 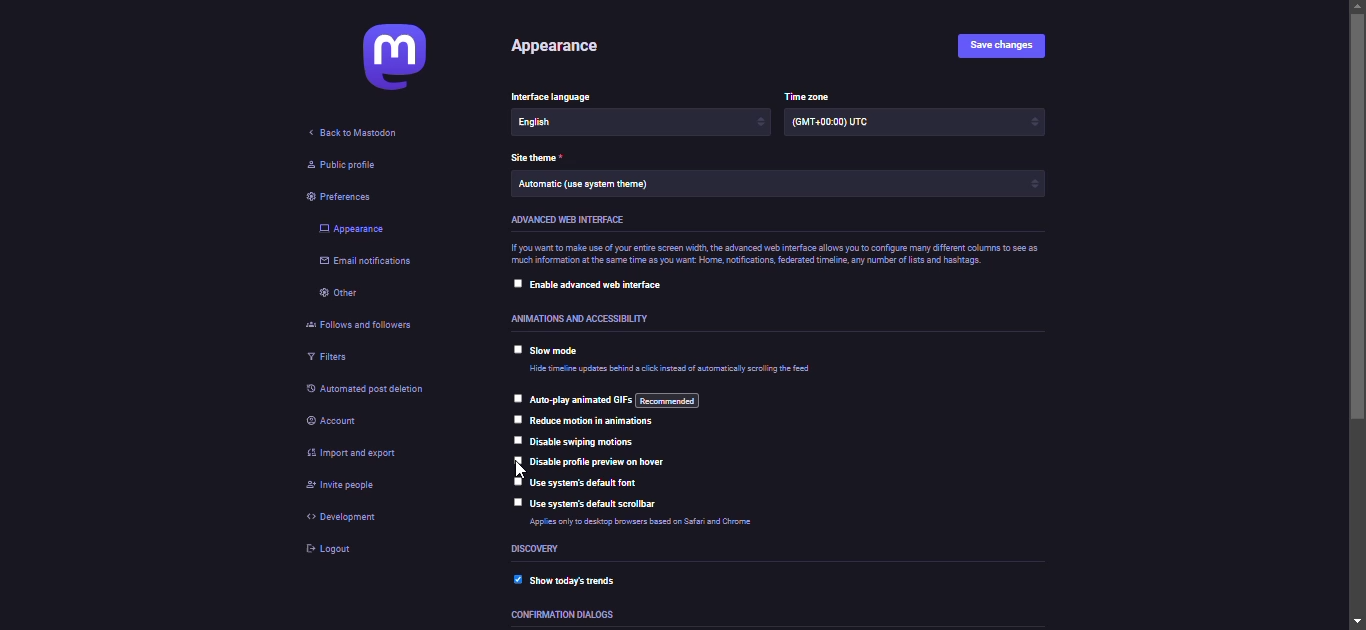 I want to click on slow mode, so click(x=559, y=352).